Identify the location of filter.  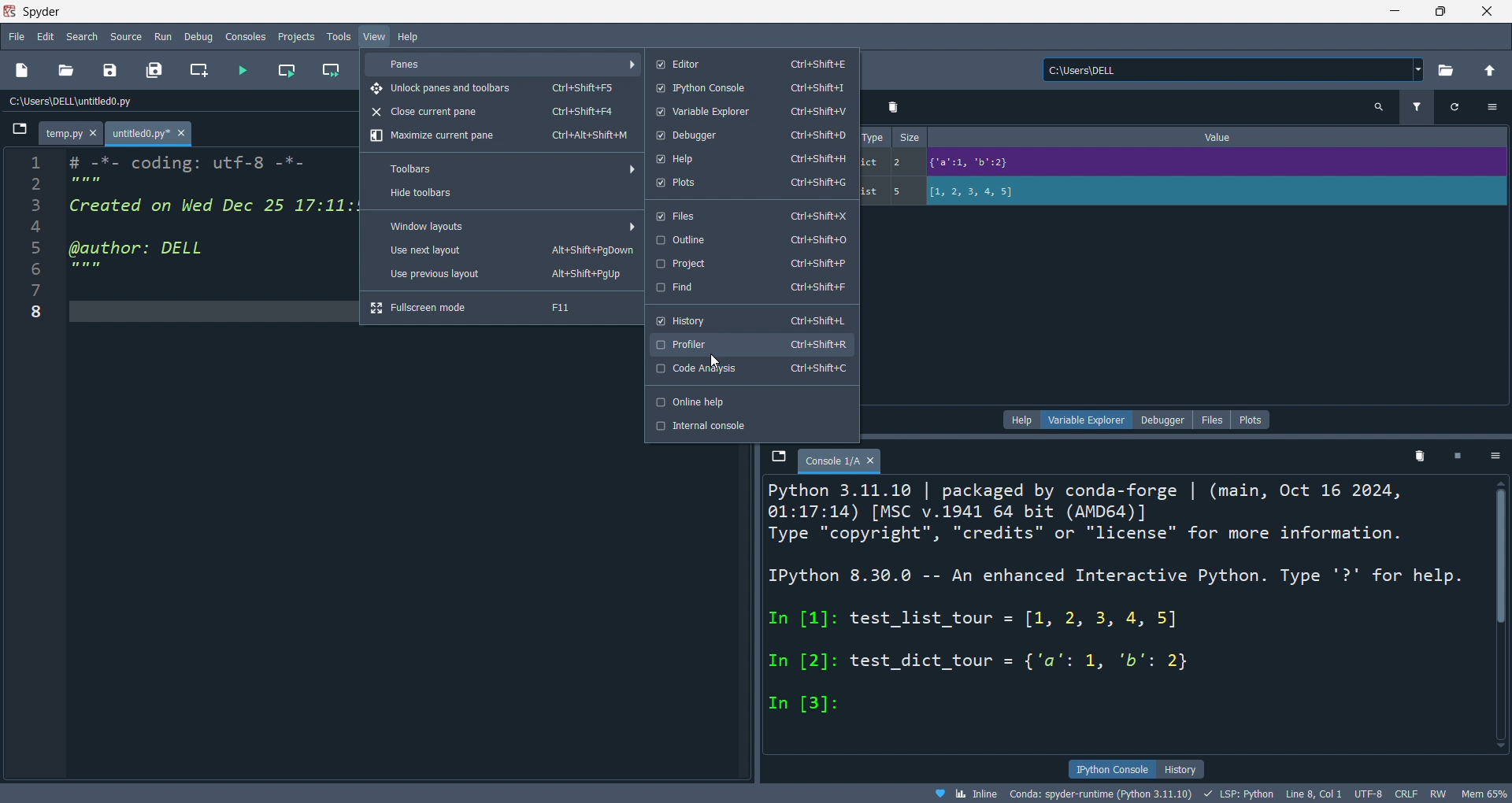
(1417, 108).